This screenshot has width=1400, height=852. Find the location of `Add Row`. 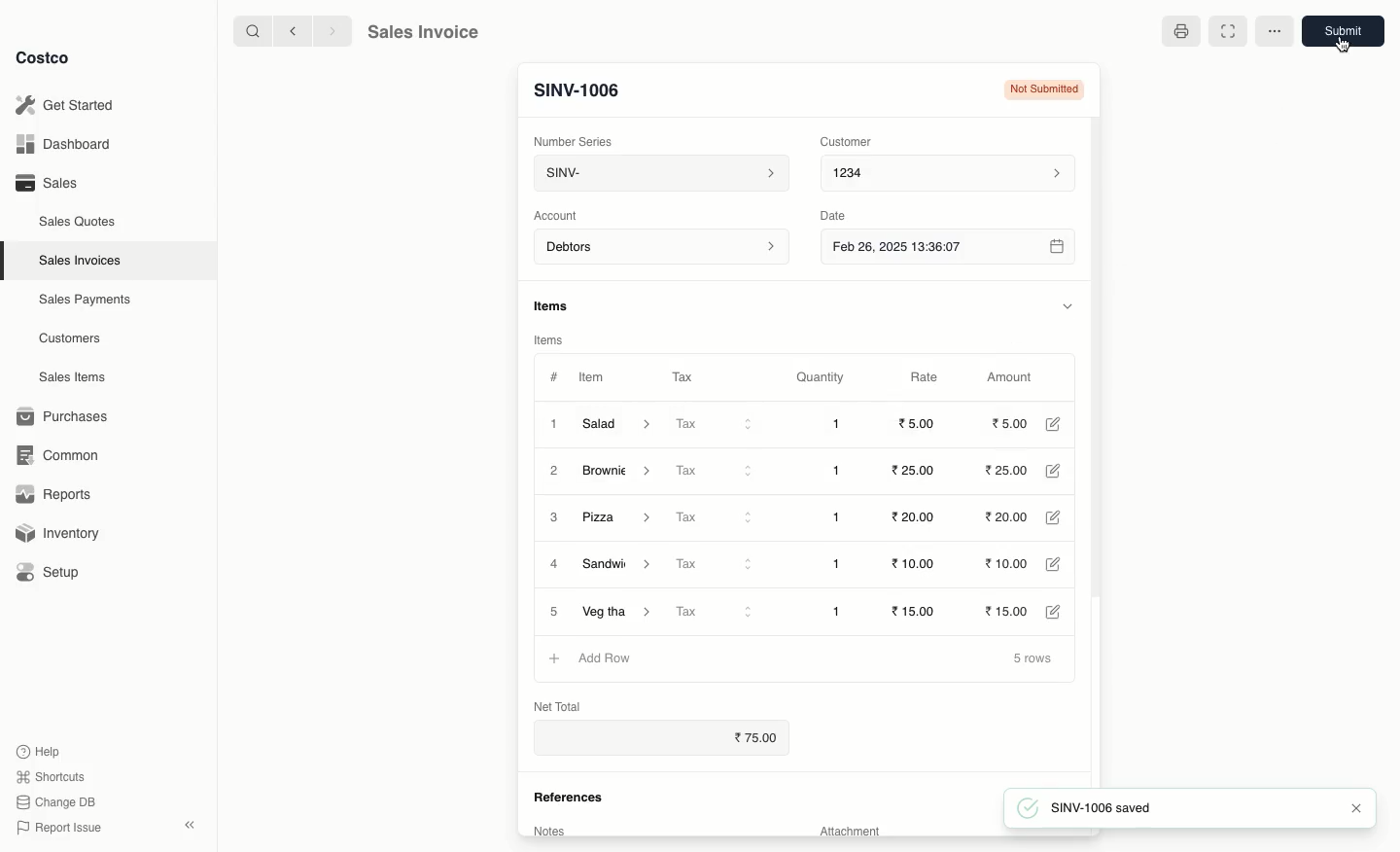

Add Row is located at coordinates (609, 658).